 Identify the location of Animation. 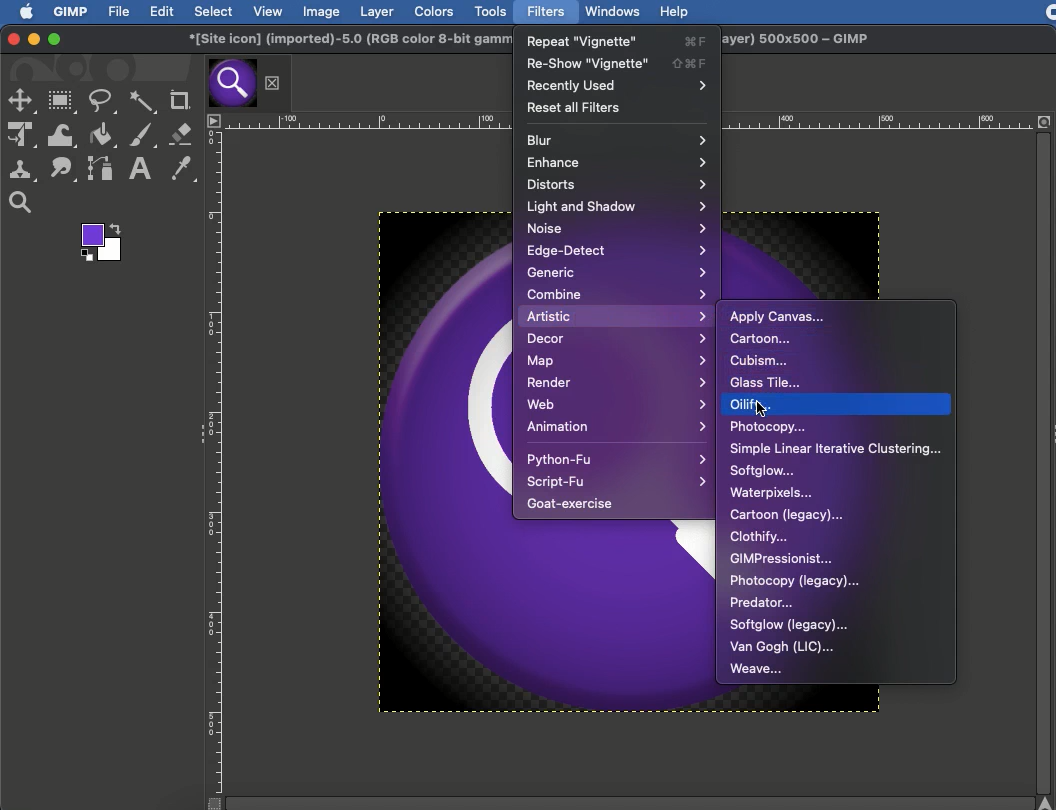
(614, 426).